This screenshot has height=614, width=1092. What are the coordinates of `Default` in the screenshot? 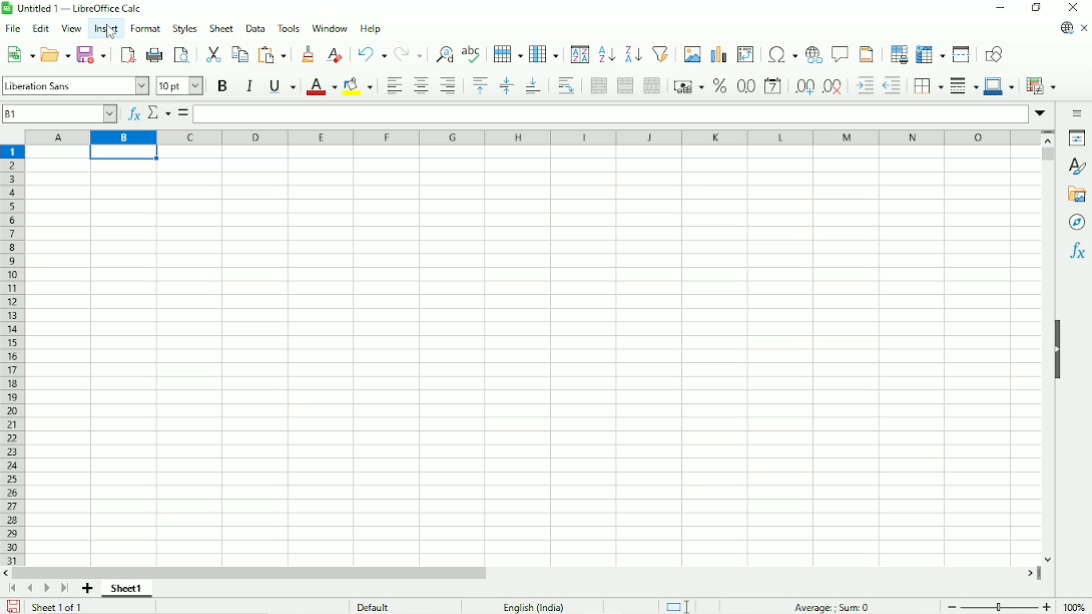 It's located at (376, 605).